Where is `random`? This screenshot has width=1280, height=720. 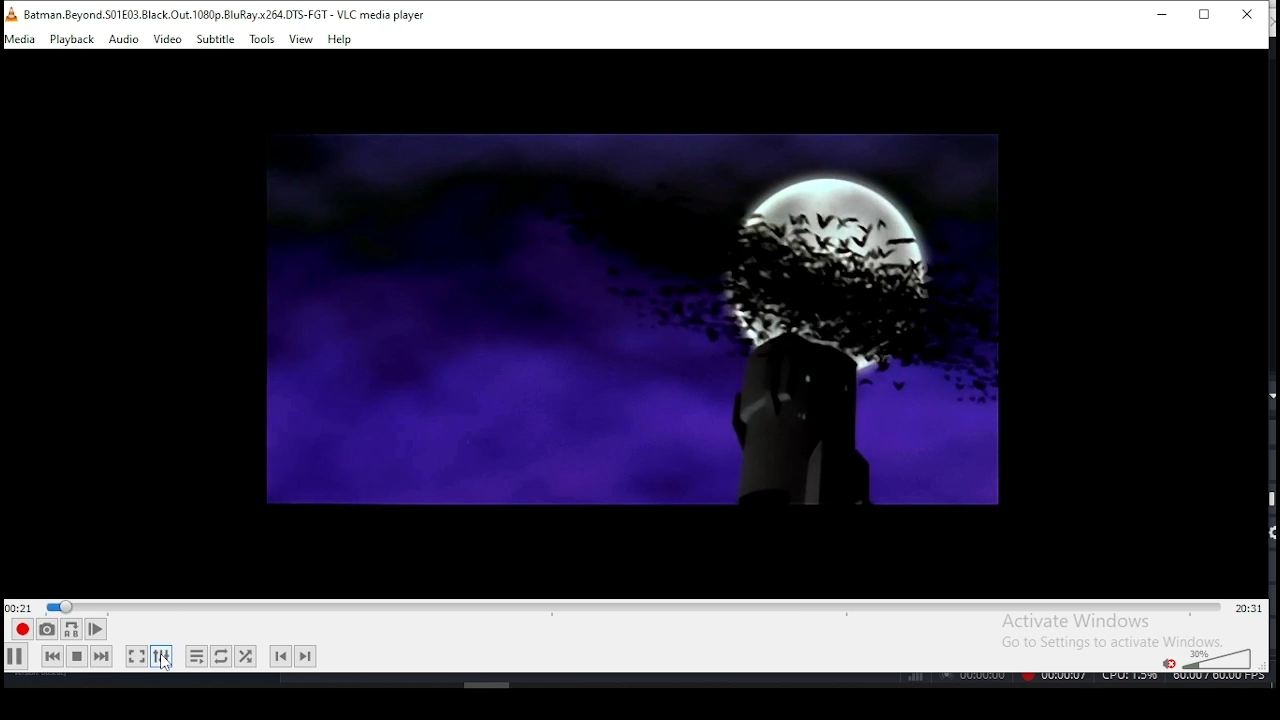
random is located at coordinates (246, 655).